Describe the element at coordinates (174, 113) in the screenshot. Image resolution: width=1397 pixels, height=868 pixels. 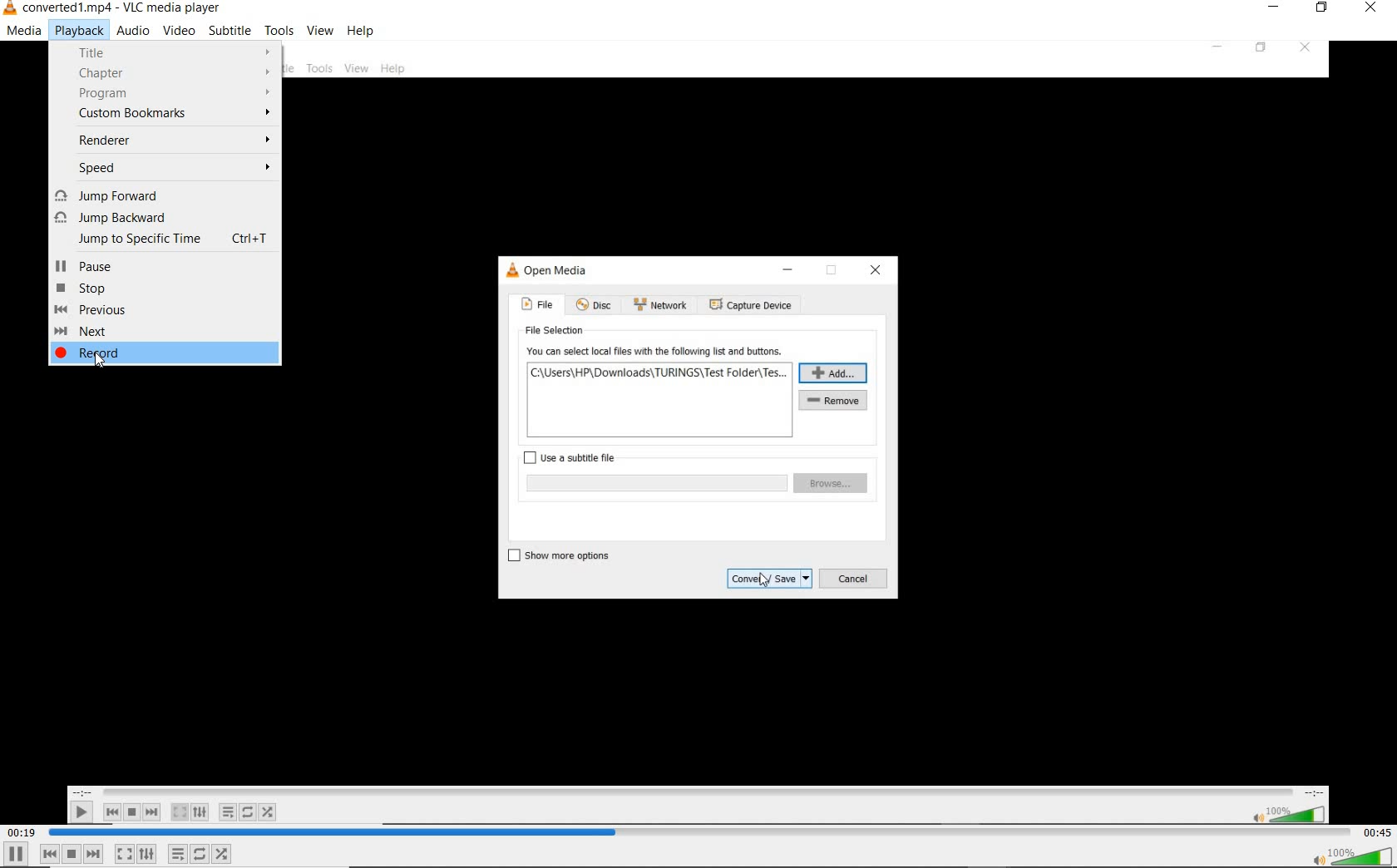
I see `custom bookmarks` at that location.